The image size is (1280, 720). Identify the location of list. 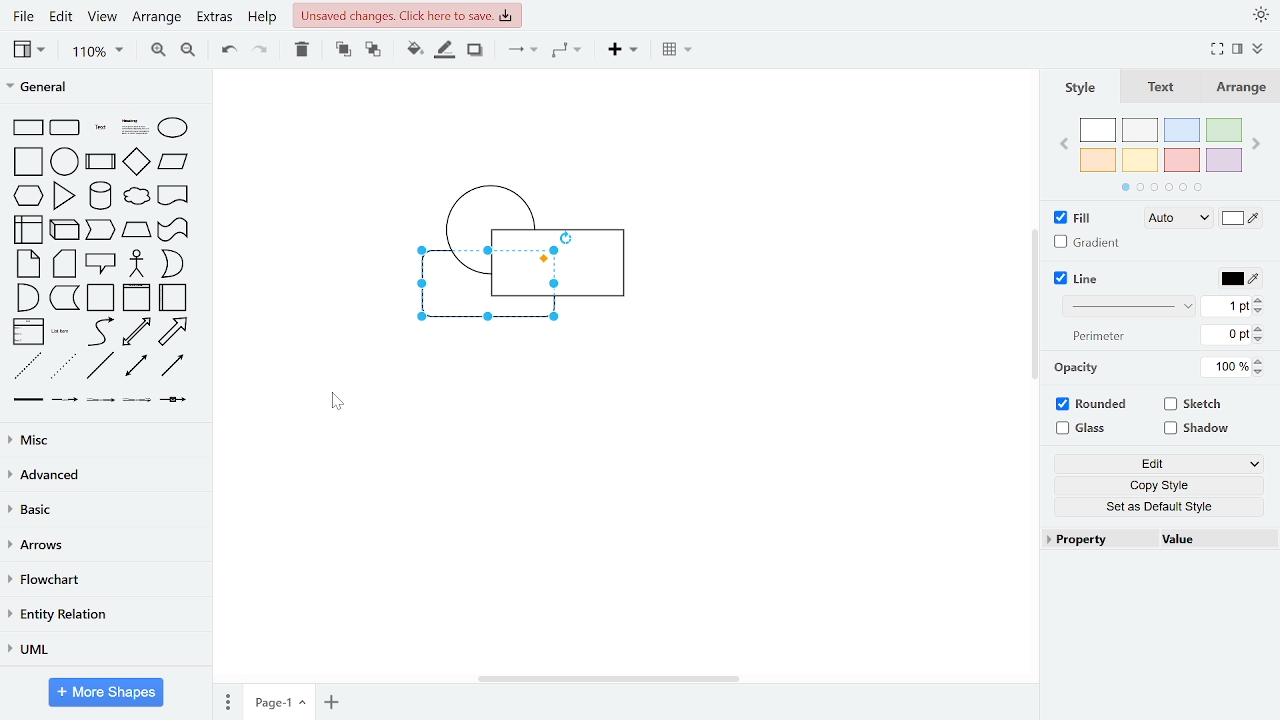
(26, 332).